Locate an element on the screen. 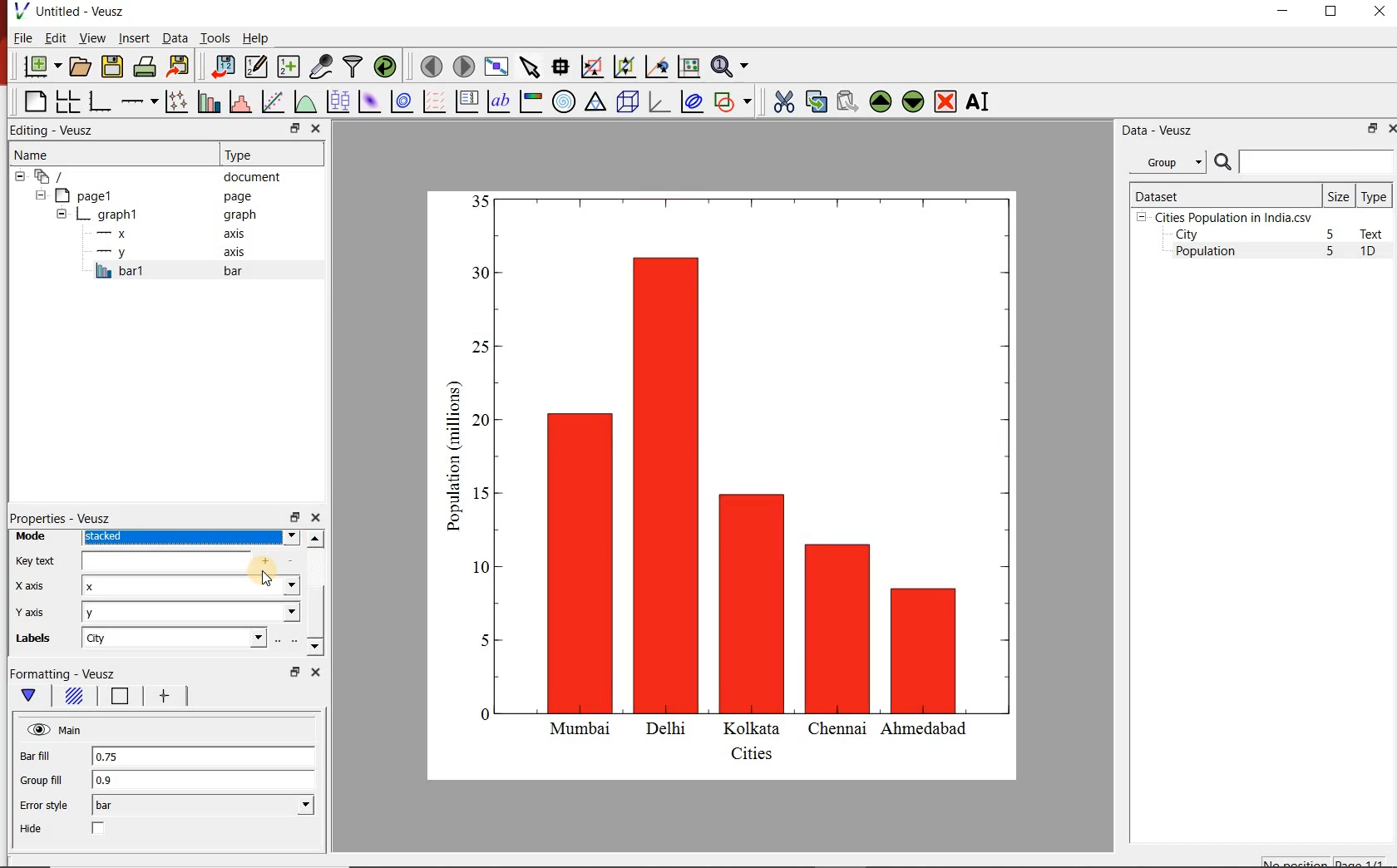 The image size is (1397, 868). move to the next page is located at coordinates (462, 66).